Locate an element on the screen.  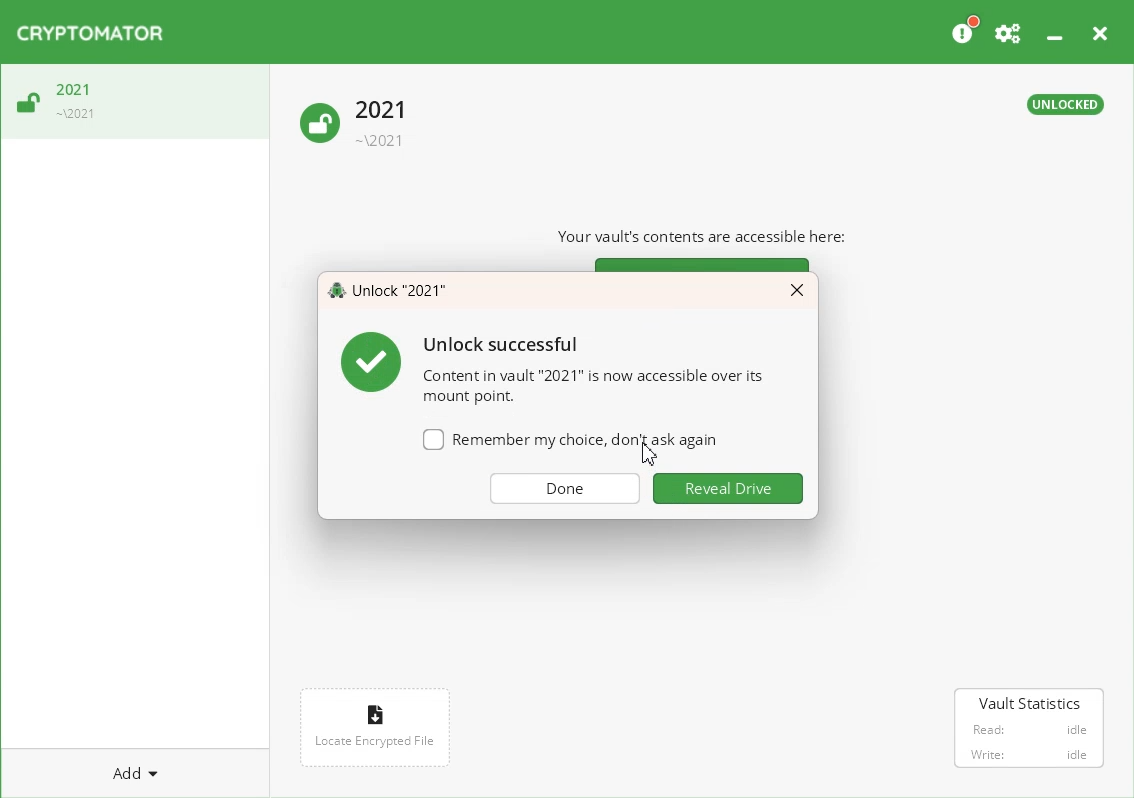
Locate encrypted File is located at coordinates (377, 725).